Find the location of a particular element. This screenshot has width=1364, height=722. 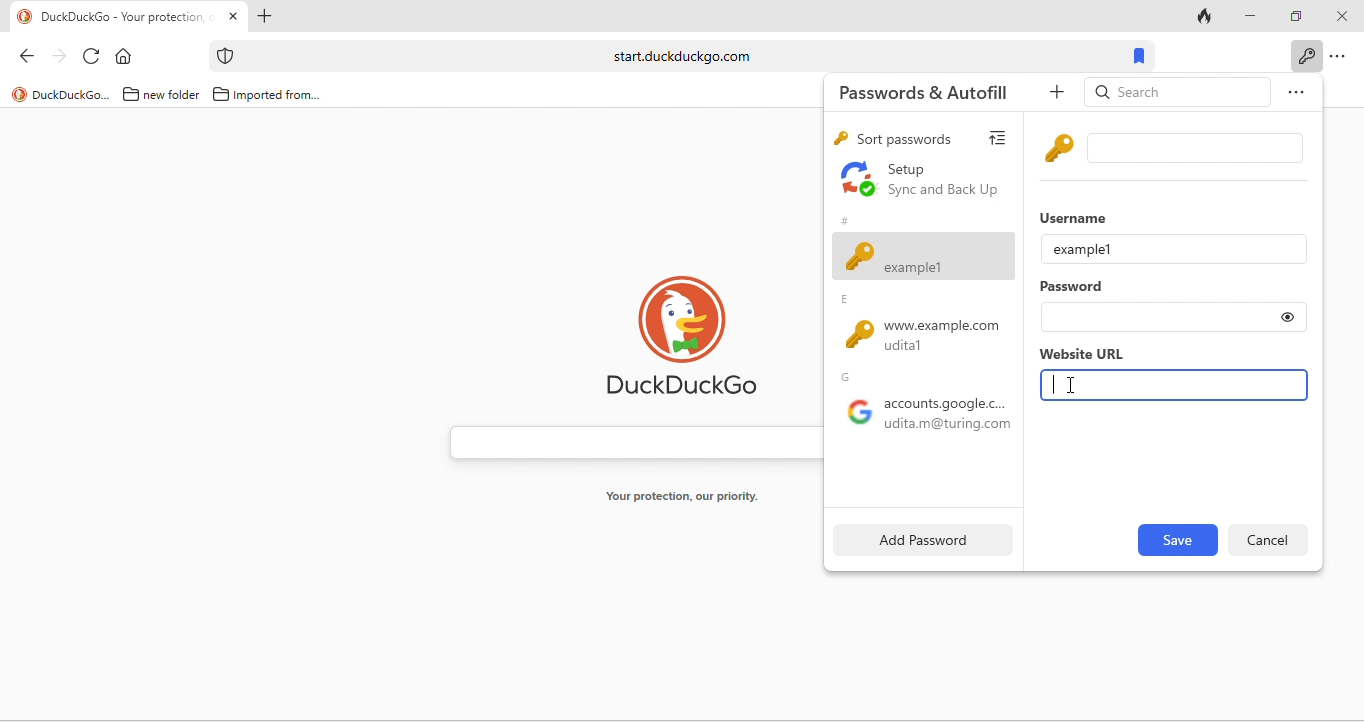

option is located at coordinates (1340, 57).